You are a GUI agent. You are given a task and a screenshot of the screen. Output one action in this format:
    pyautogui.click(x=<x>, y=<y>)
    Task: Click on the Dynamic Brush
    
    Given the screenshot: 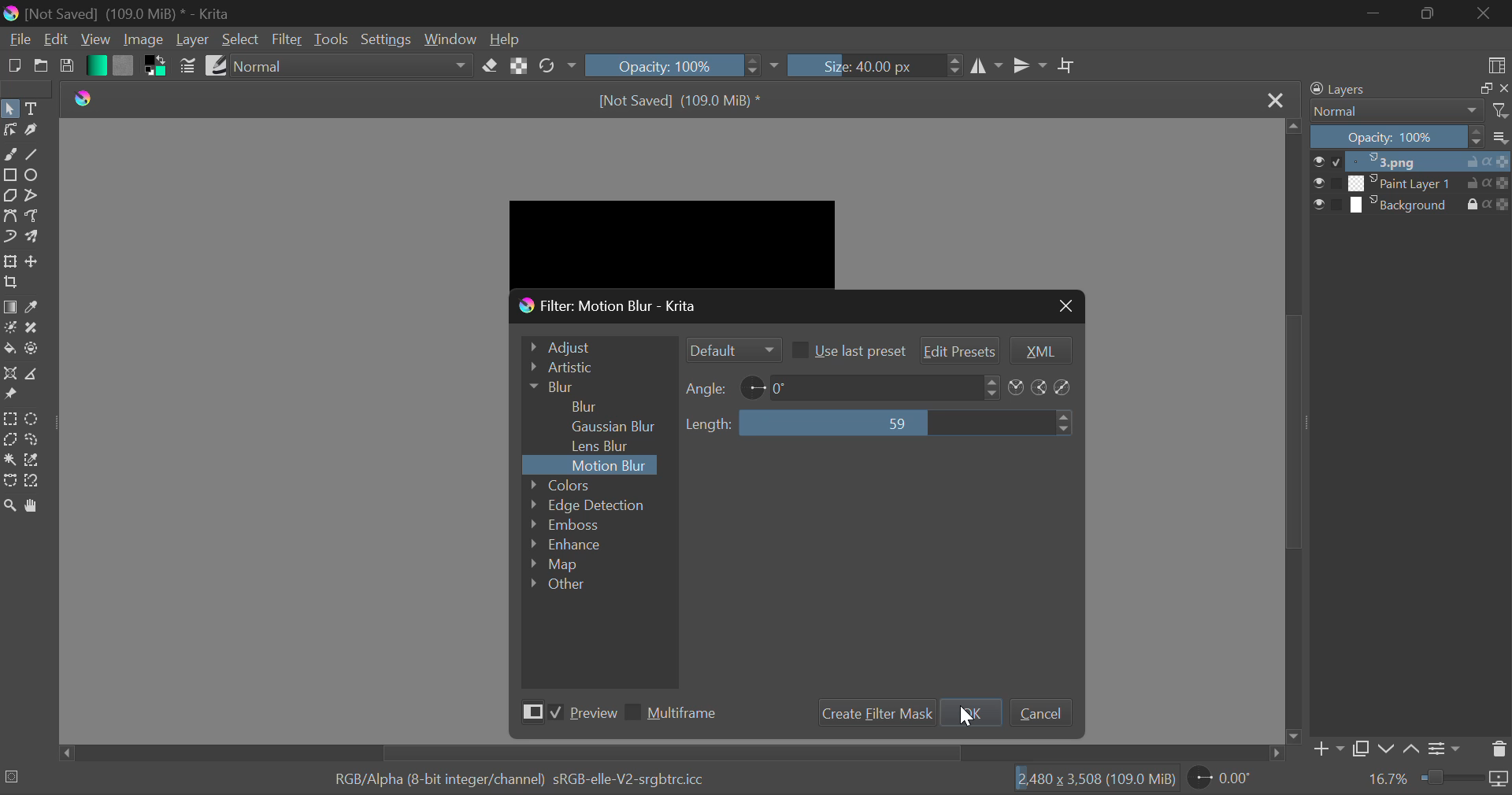 What is the action you would take?
    pyautogui.click(x=9, y=238)
    